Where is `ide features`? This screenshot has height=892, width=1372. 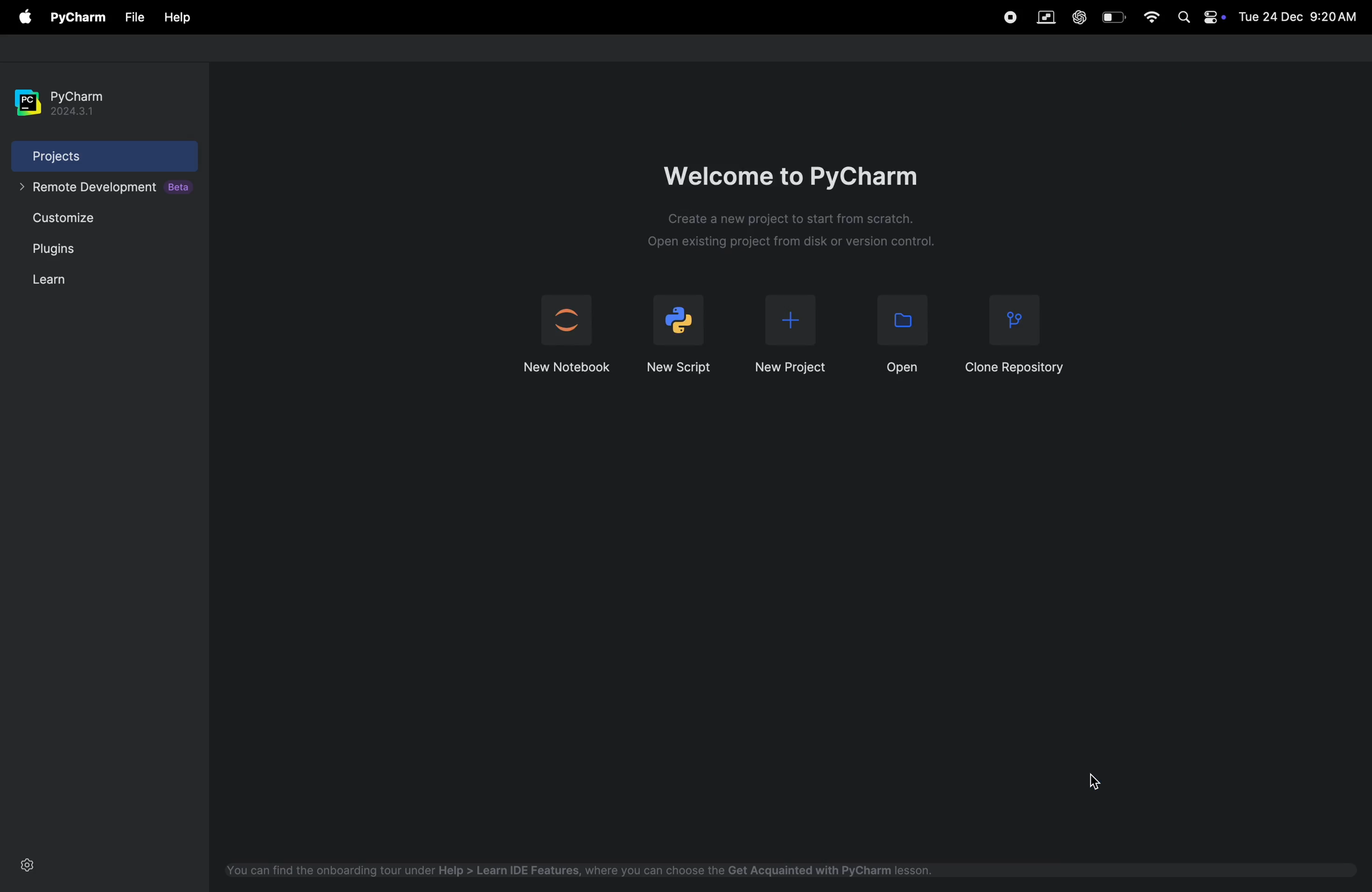 ide features is located at coordinates (576, 870).